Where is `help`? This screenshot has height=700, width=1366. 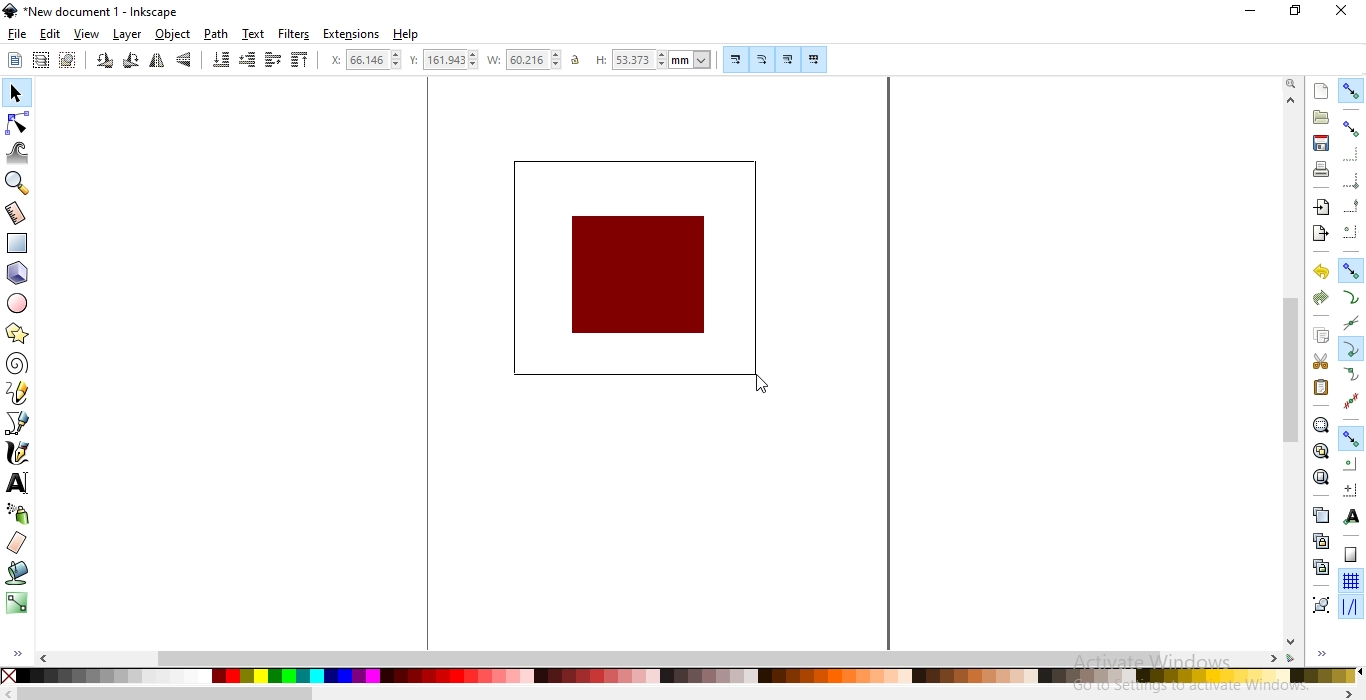 help is located at coordinates (406, 35).